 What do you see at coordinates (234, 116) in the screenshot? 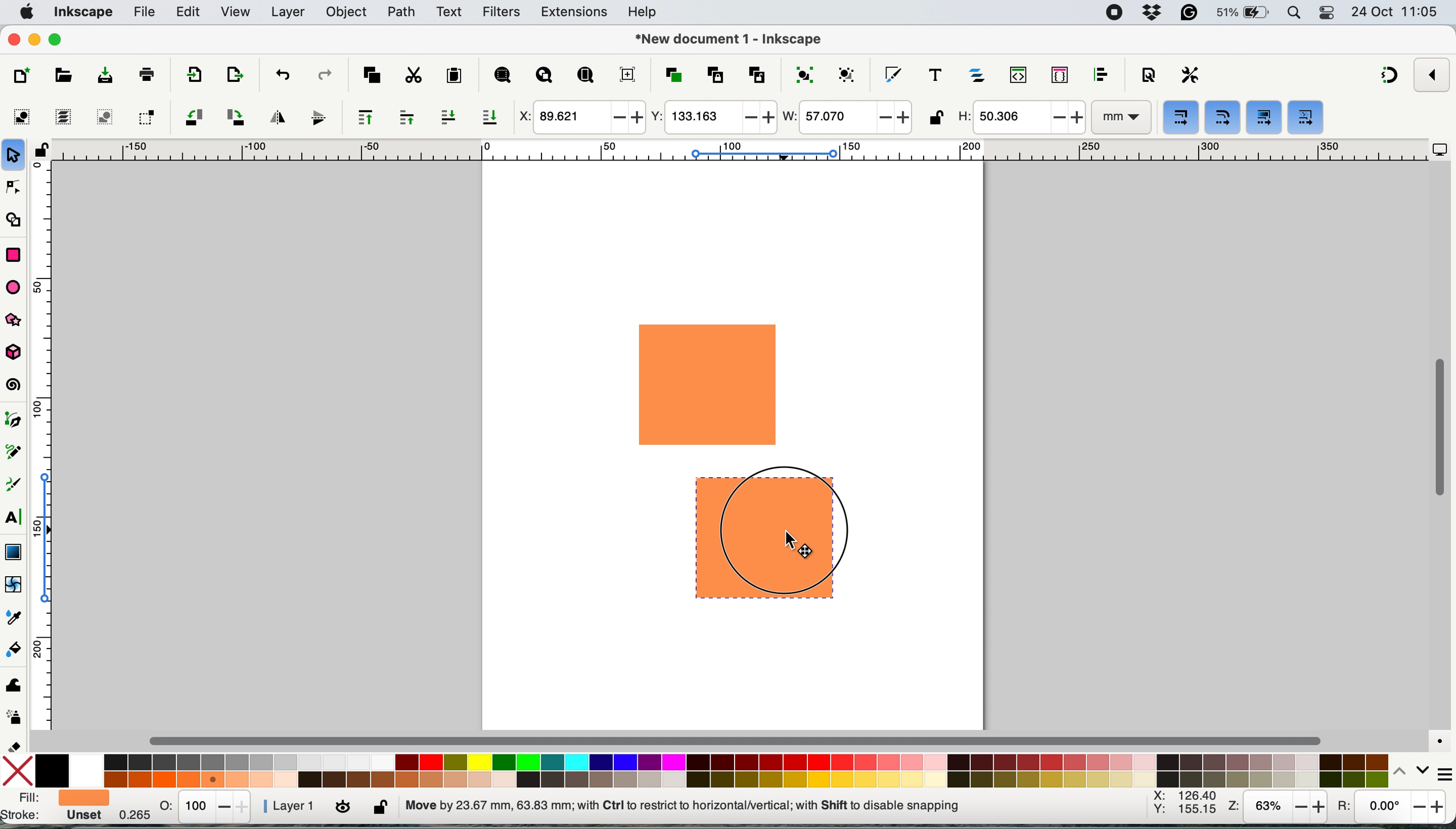
I see `object rotate 90` at bounding box center [234, 116].